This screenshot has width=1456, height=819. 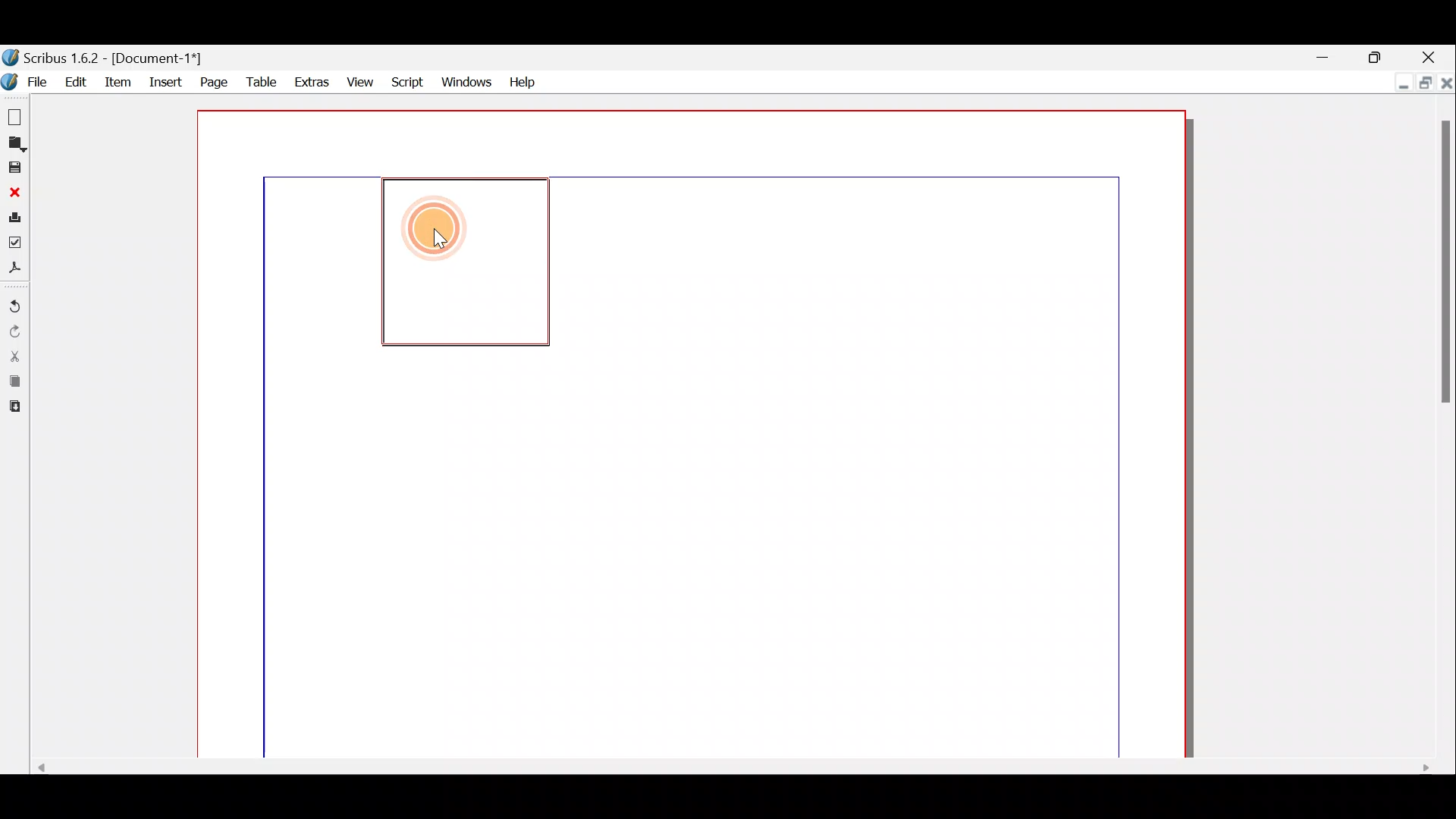 I want to click on Paste, so click(x=13, y=409).